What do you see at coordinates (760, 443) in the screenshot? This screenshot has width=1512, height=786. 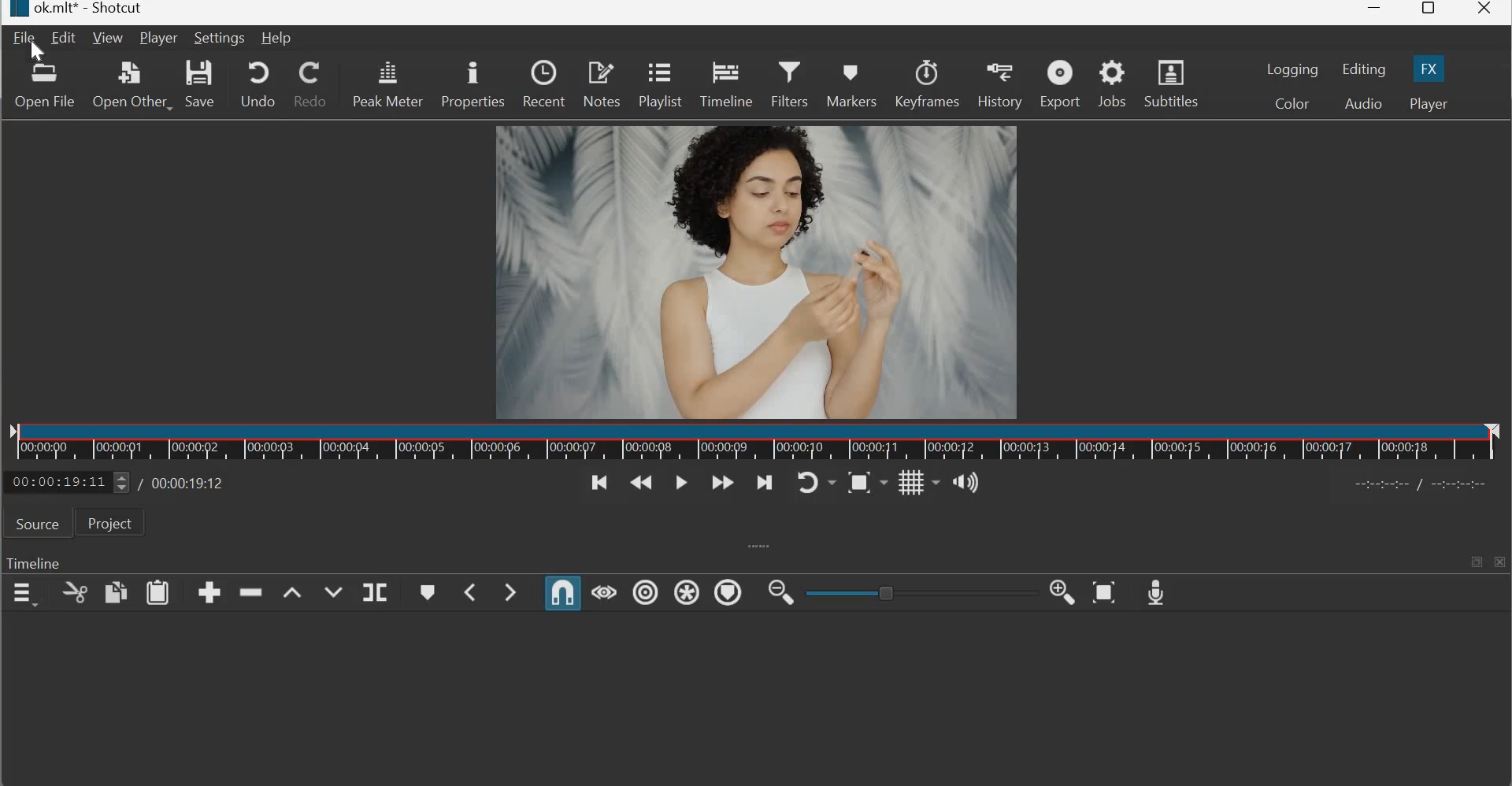 I see `Timeline` at bounding box center [760, 443].